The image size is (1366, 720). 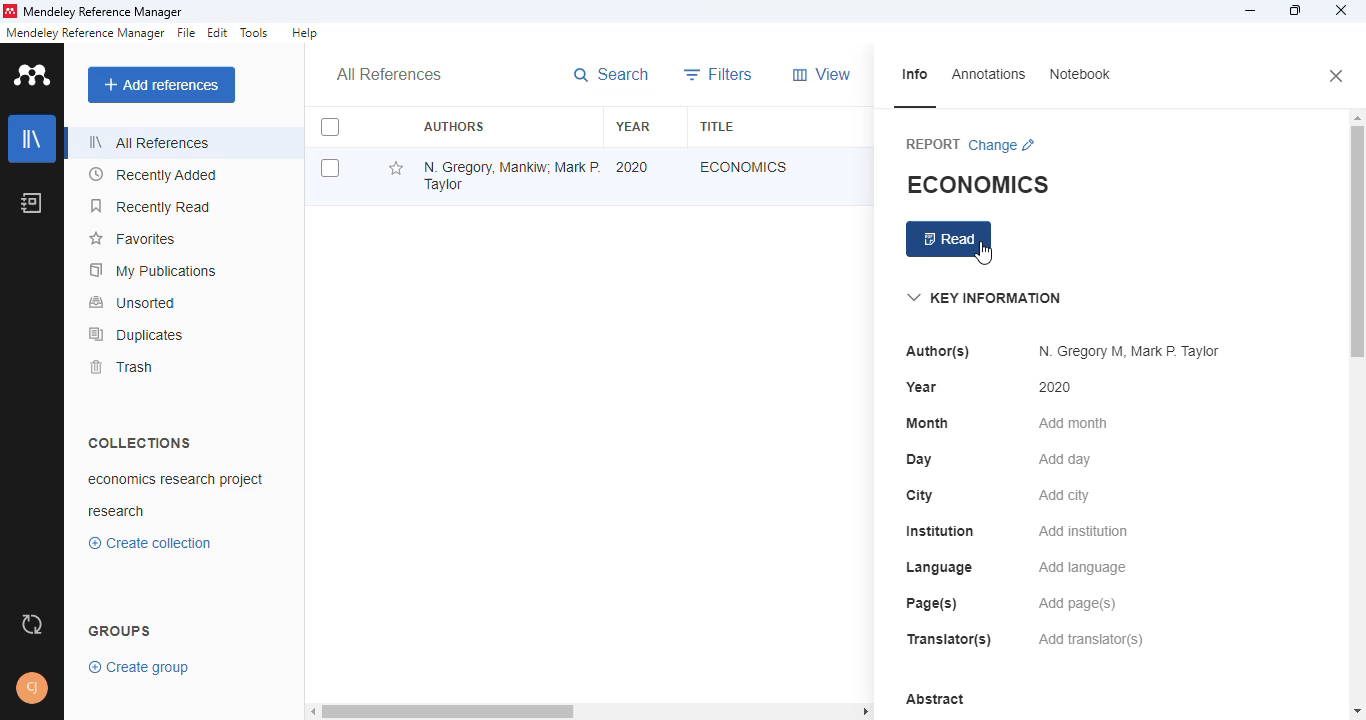 I want to click on profile, so click(x=32, y=690).